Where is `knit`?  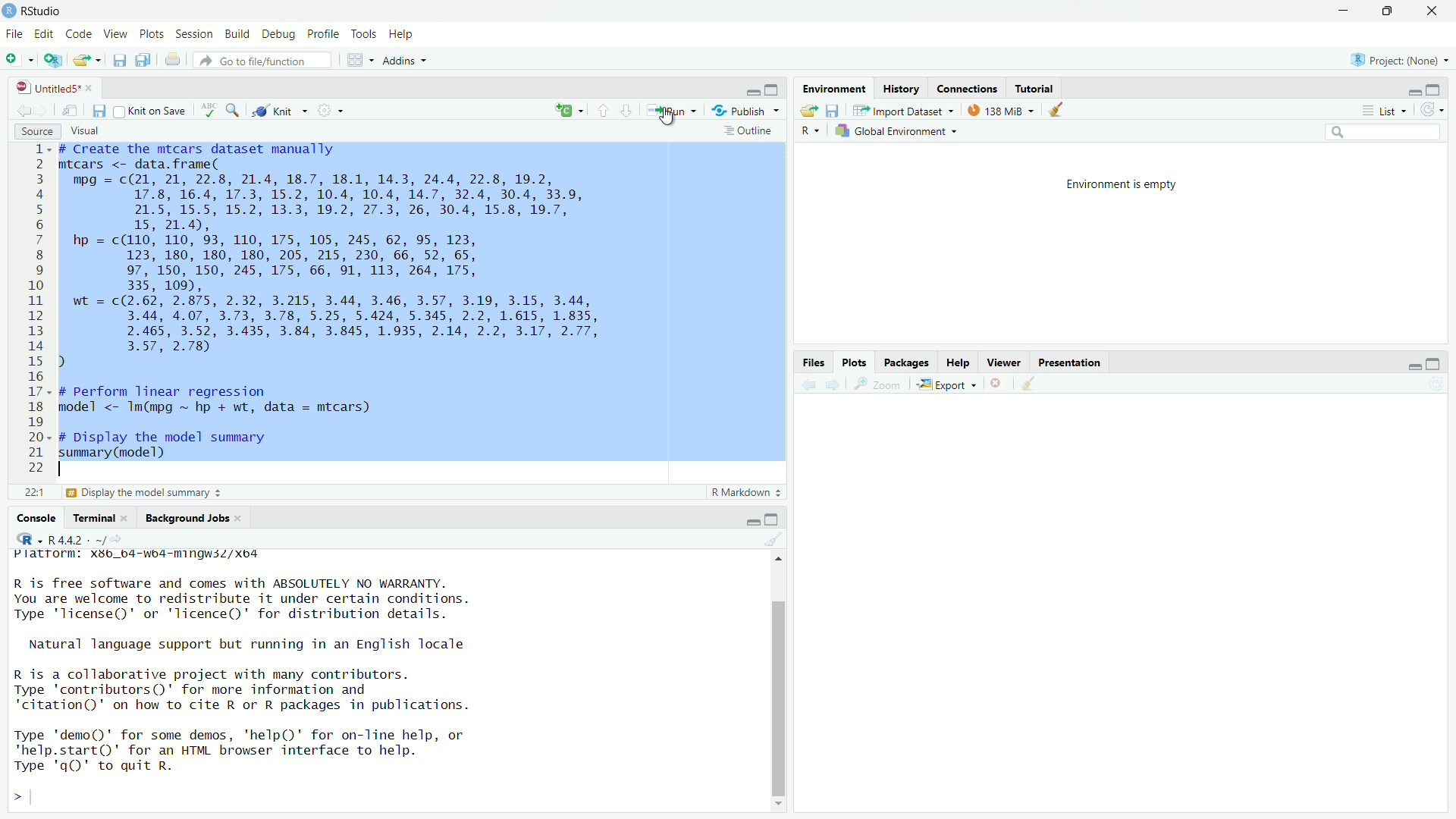
knit is located at coordinates (276, 111).